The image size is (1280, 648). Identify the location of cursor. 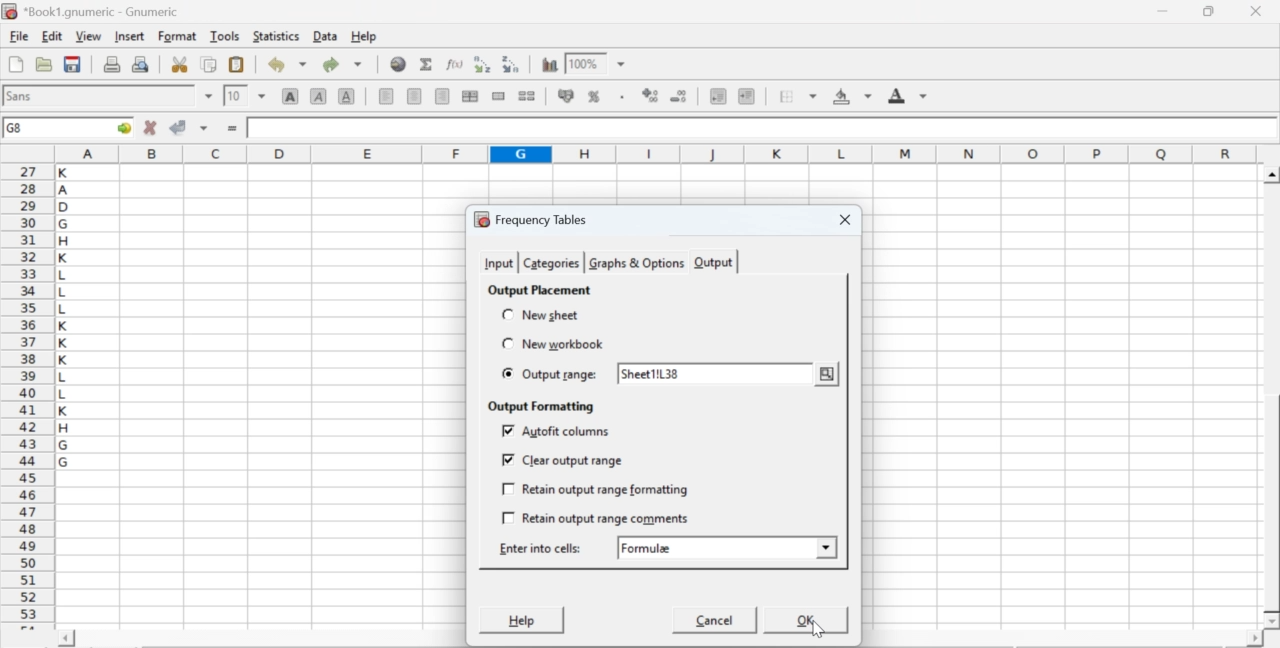
(813, 629).